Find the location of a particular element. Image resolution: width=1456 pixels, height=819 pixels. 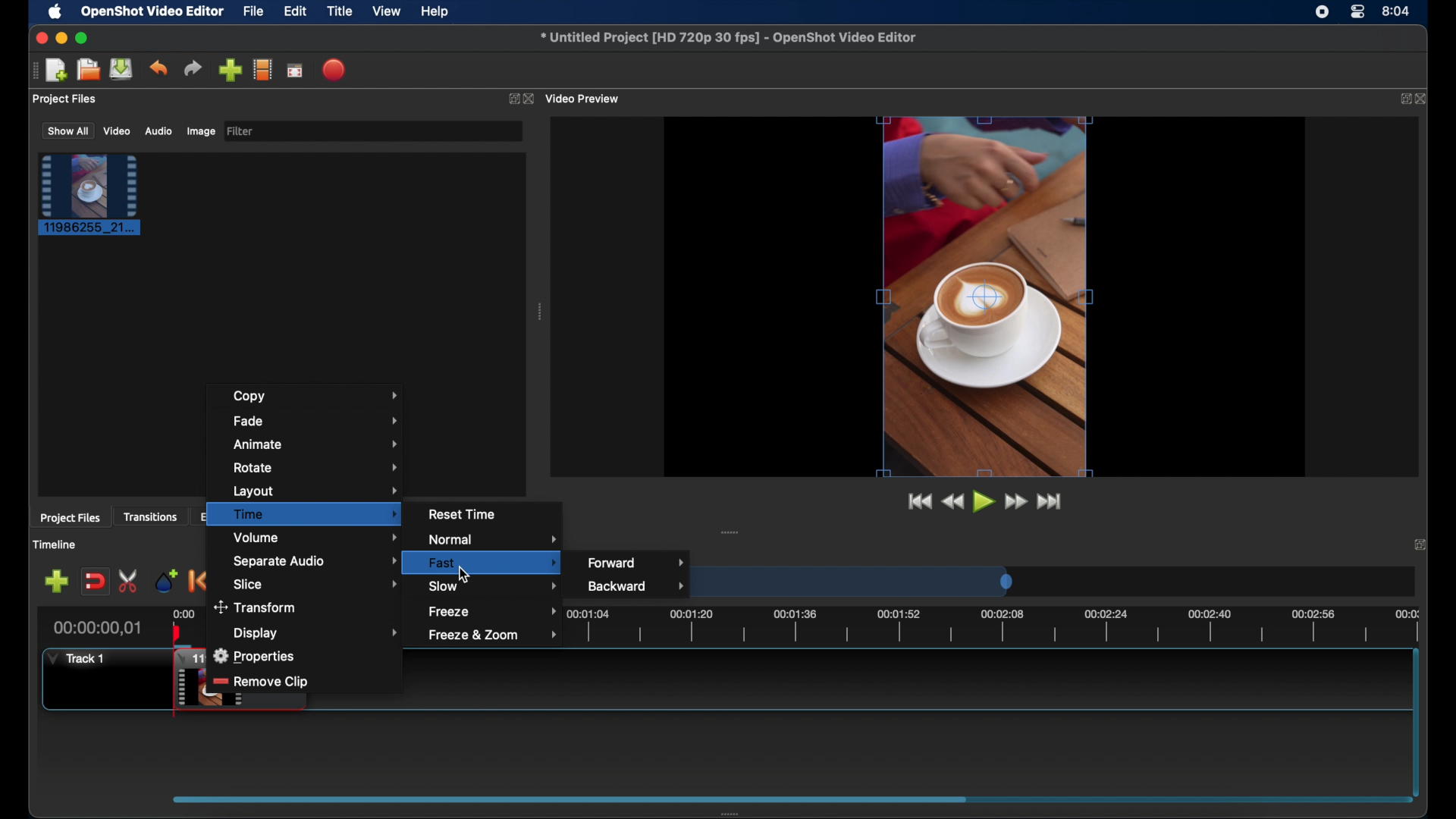

project files is located at coordinates (66, 99).